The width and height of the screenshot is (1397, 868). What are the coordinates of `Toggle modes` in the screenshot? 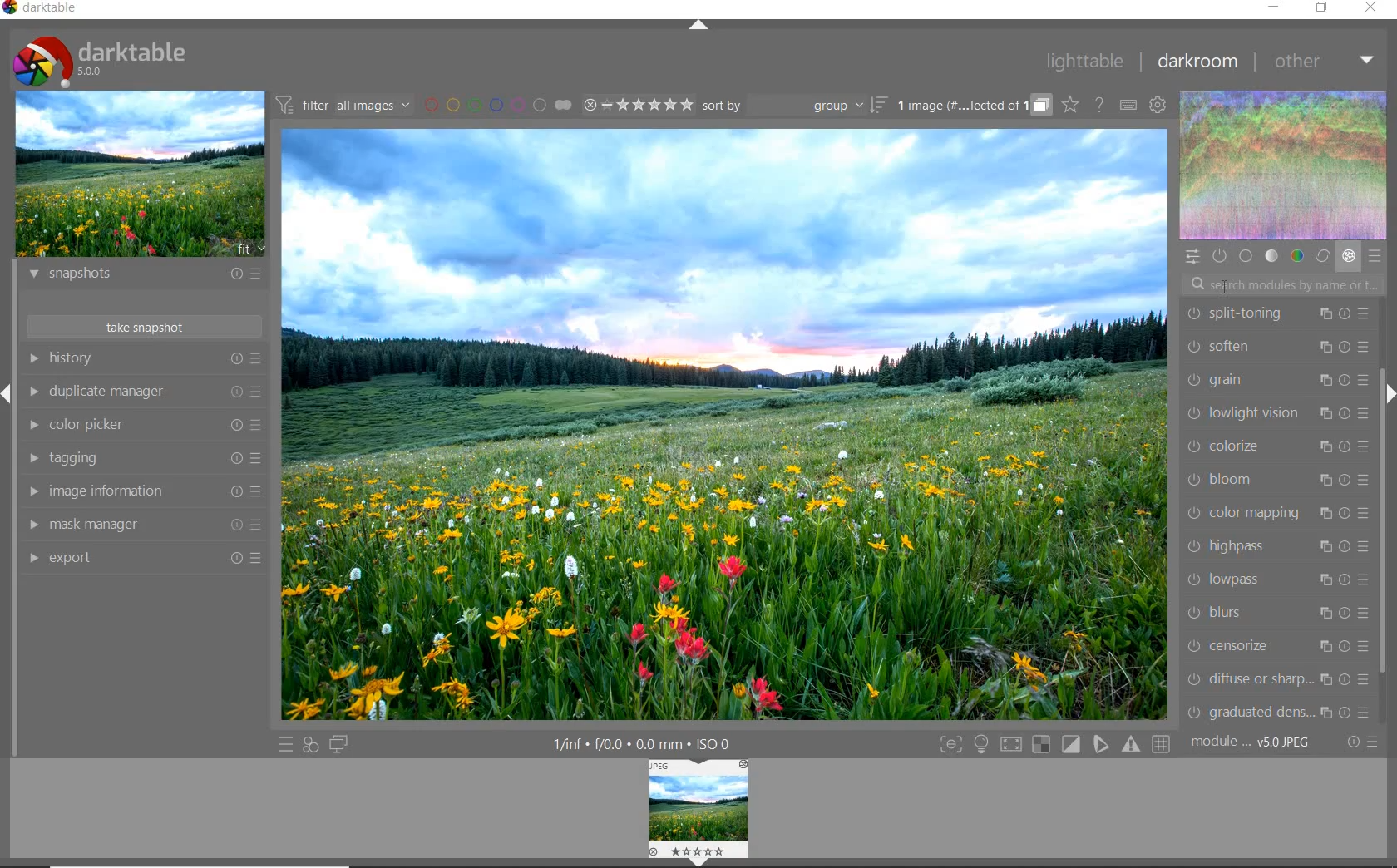 It's located at (1054, 745).